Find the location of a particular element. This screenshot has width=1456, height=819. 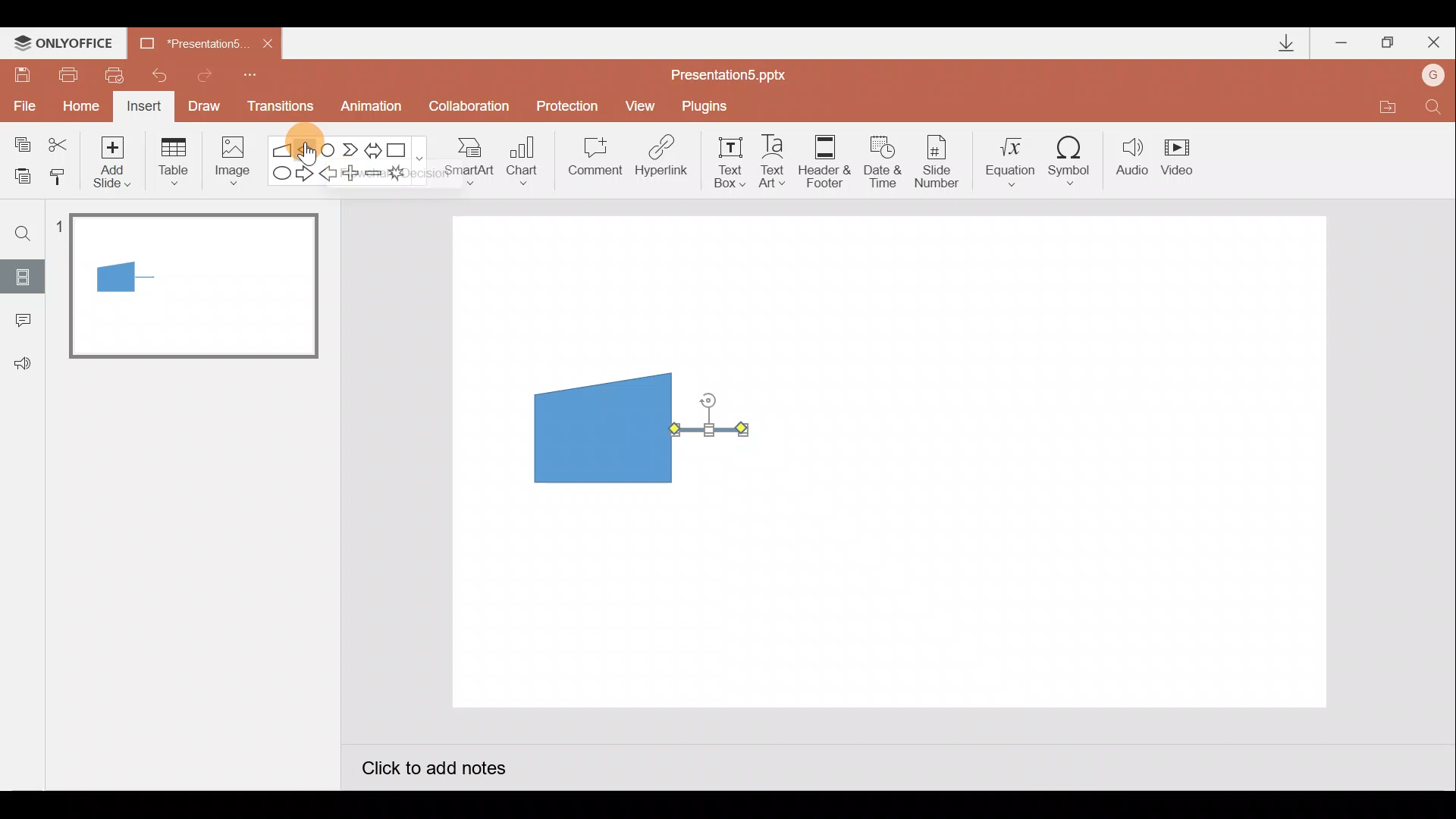

Text box is located at coordinates (725, 160).